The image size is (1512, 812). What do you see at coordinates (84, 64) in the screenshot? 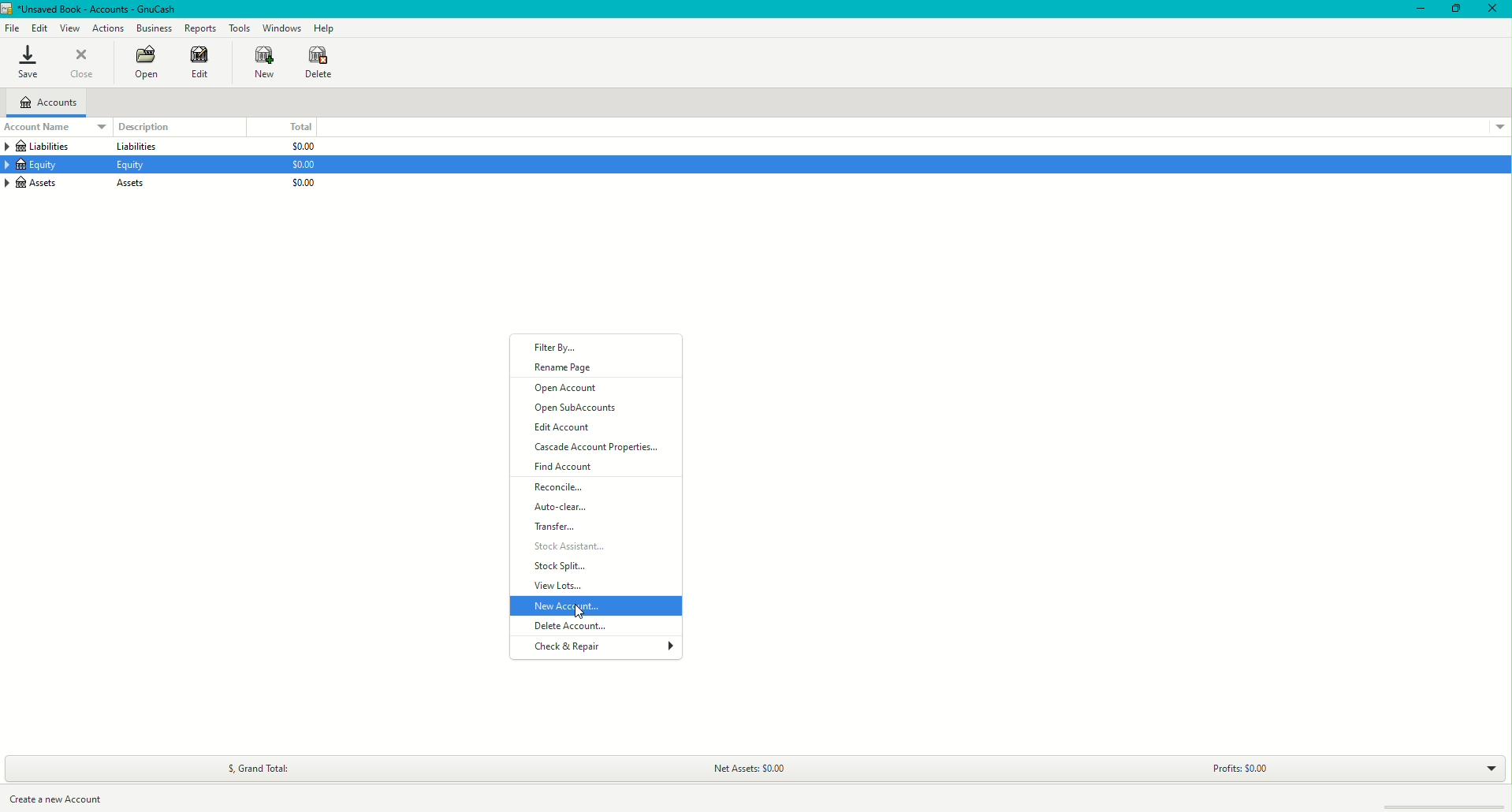
I see `Close` at bounding box center [84, 64].